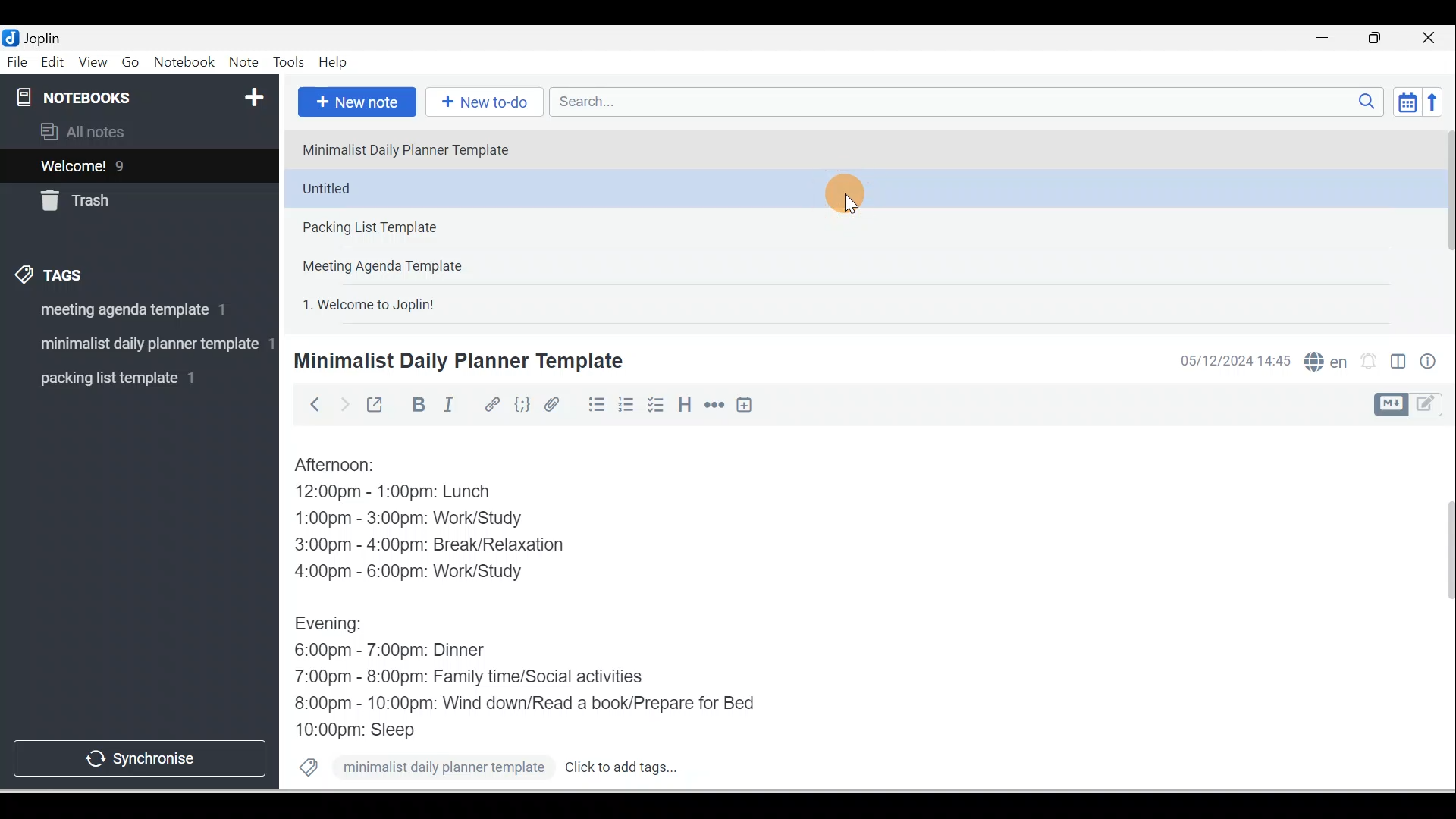 Image resolution: width=1456 pixels, height=819 pixels. What do you see at coordinates (93, 63) in the screenshot?
I see `View` at bounding box center [93, 63].